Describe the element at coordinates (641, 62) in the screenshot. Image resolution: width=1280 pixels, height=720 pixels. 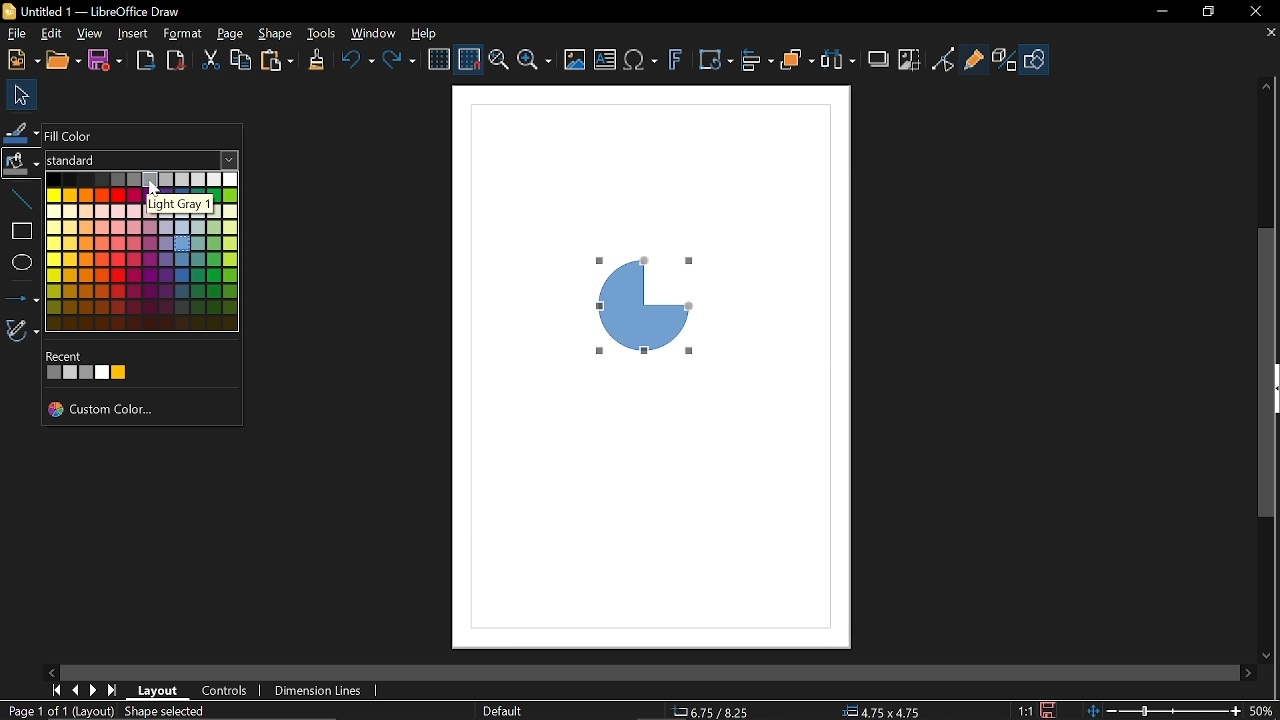
I see `Insert equation` at that location.